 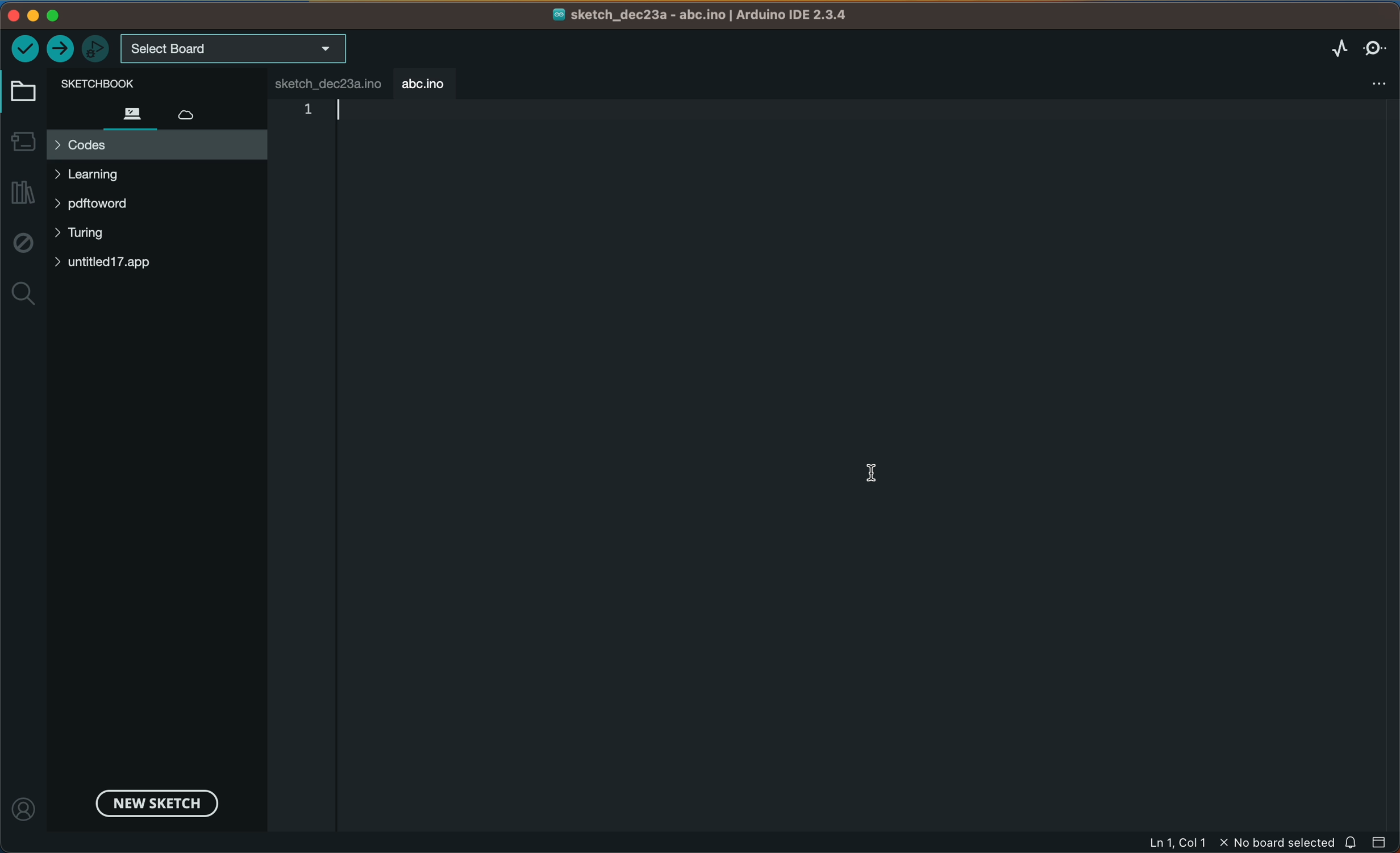 I want to click on file setting, so click(x=1369, y=84).